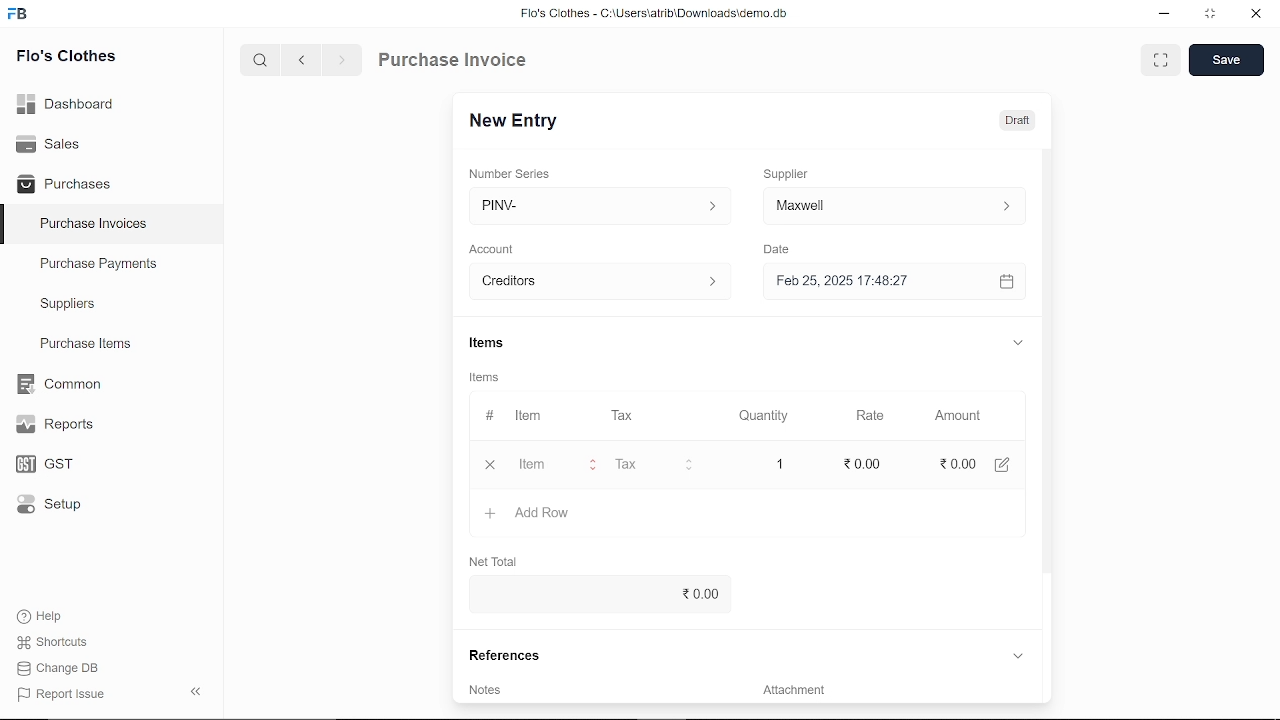  Describe the element at coordinates (58, 670) in the screenshot. I see `Change DB` at that location.